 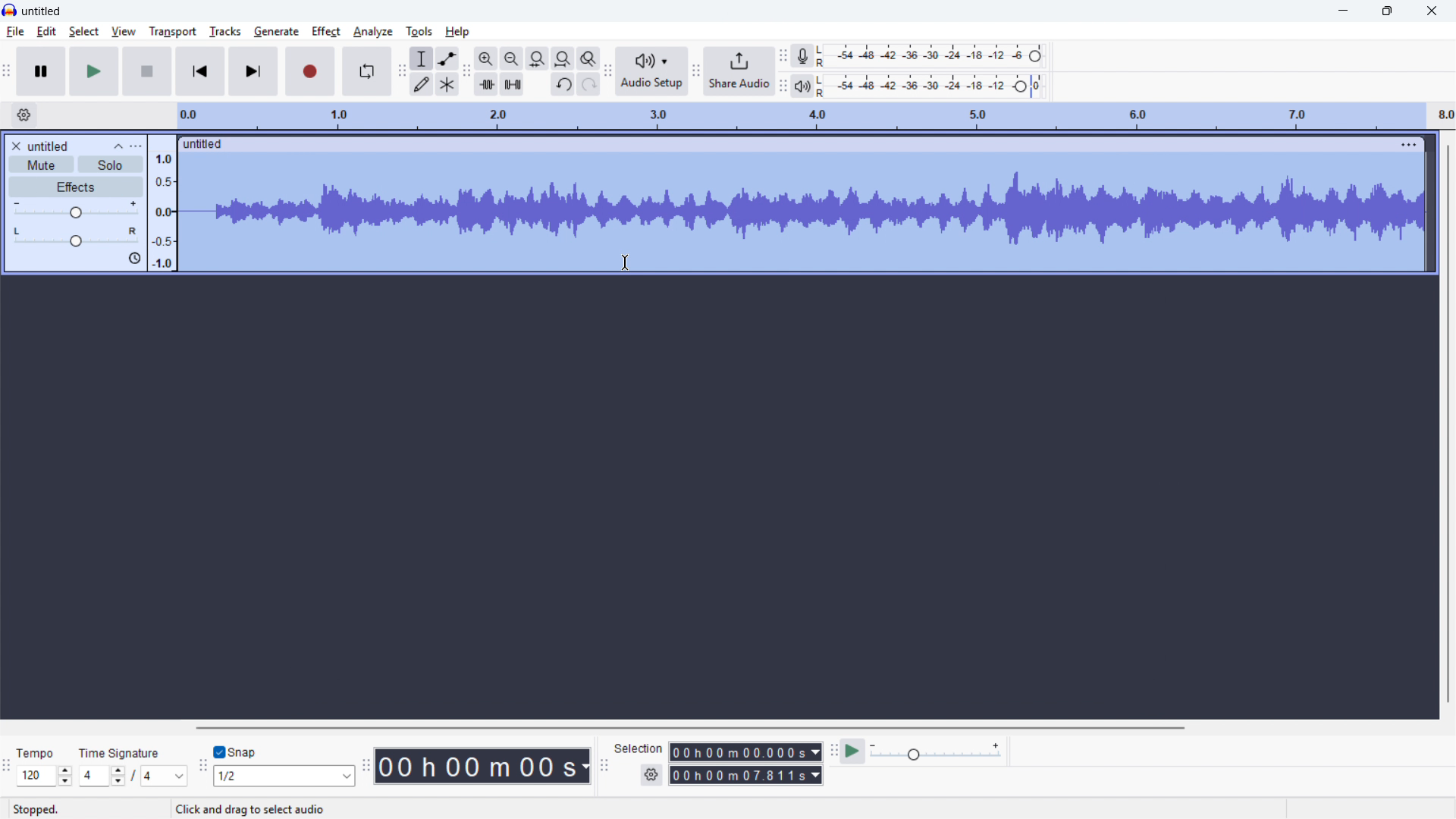 I want to click on Horizontal scroll bar , so click(x=687, y=728).